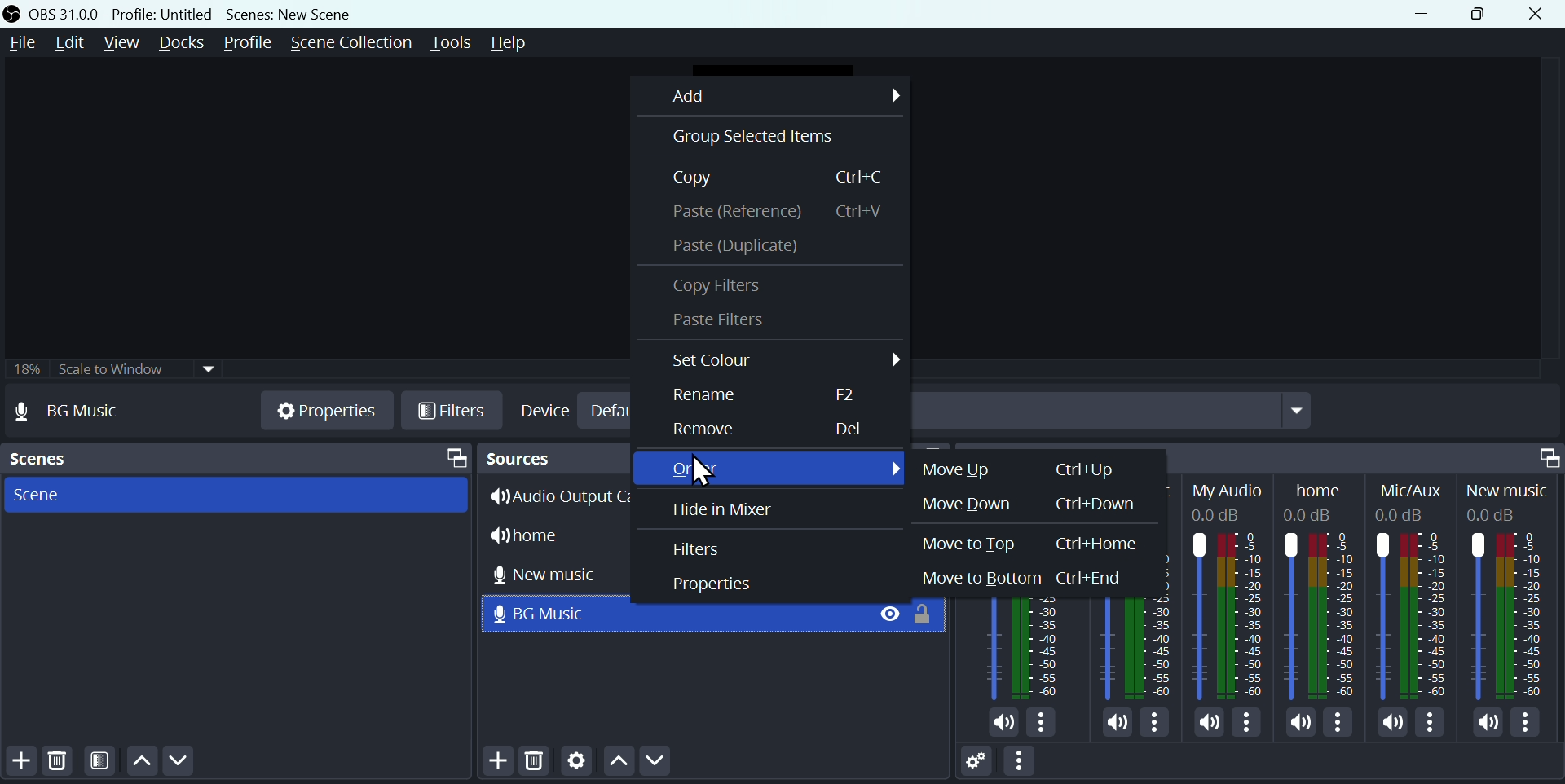 Image resolution: width=1565 pixels, height=784 pixels. I want to click on BG music, so click(552, 614).